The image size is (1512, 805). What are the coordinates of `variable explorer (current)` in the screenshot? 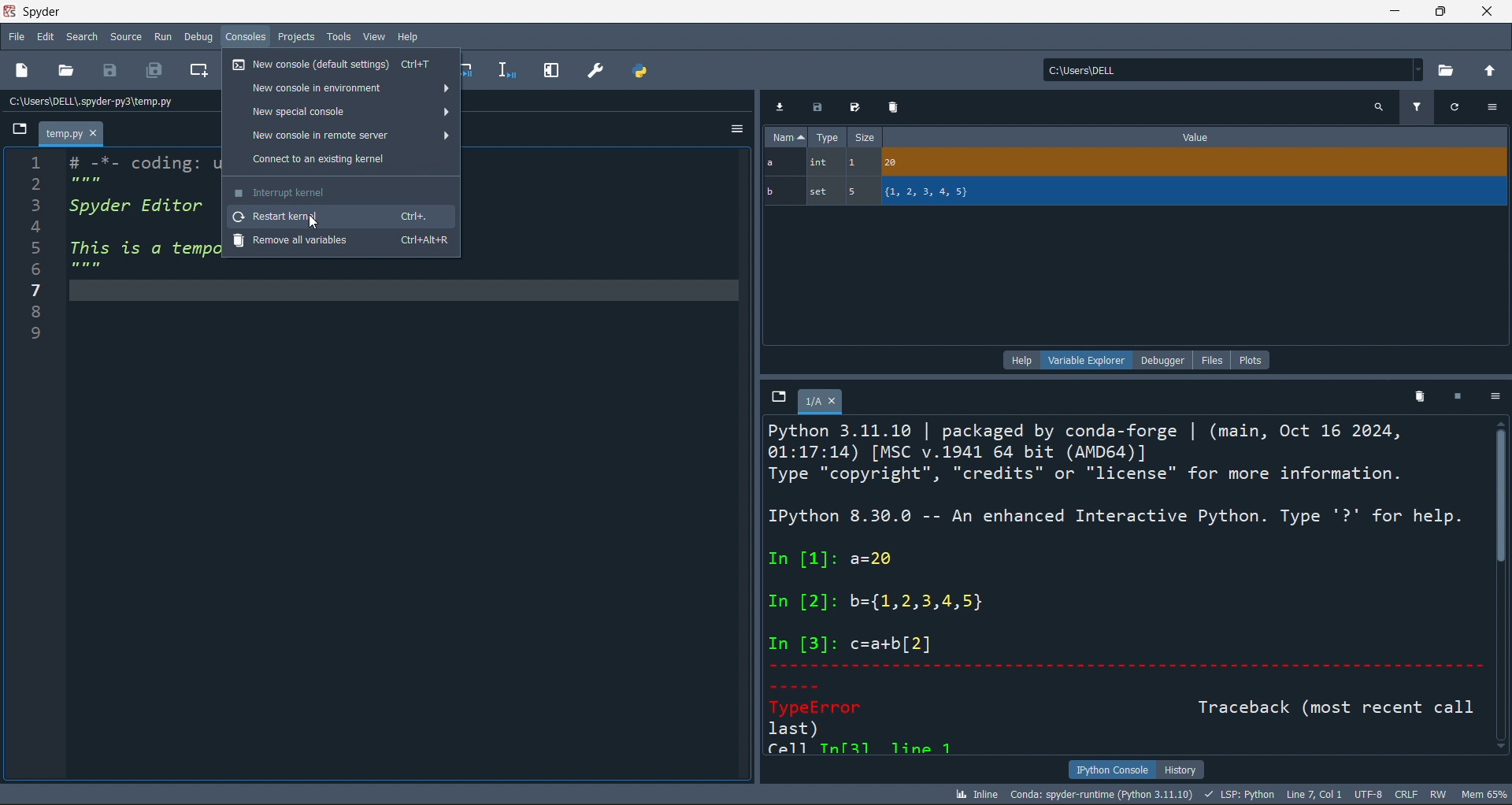 It's located at (1086, 361).